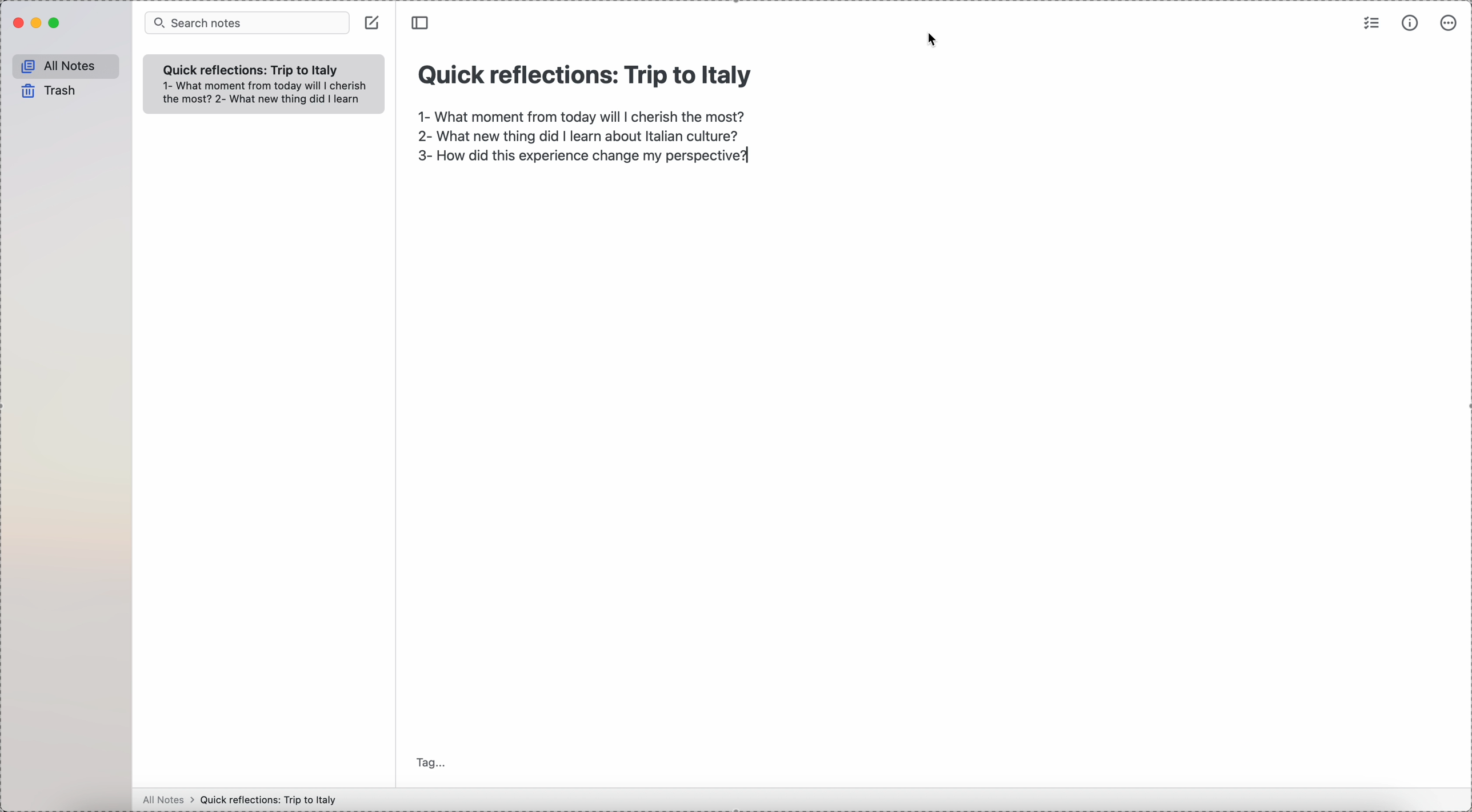 This screenshot has height=812, width=1472. What do you see at coordinates (582, 79) in the screenshot?
I see `Quick reflections: Trip to Italy` at bounding box center [582, 79].